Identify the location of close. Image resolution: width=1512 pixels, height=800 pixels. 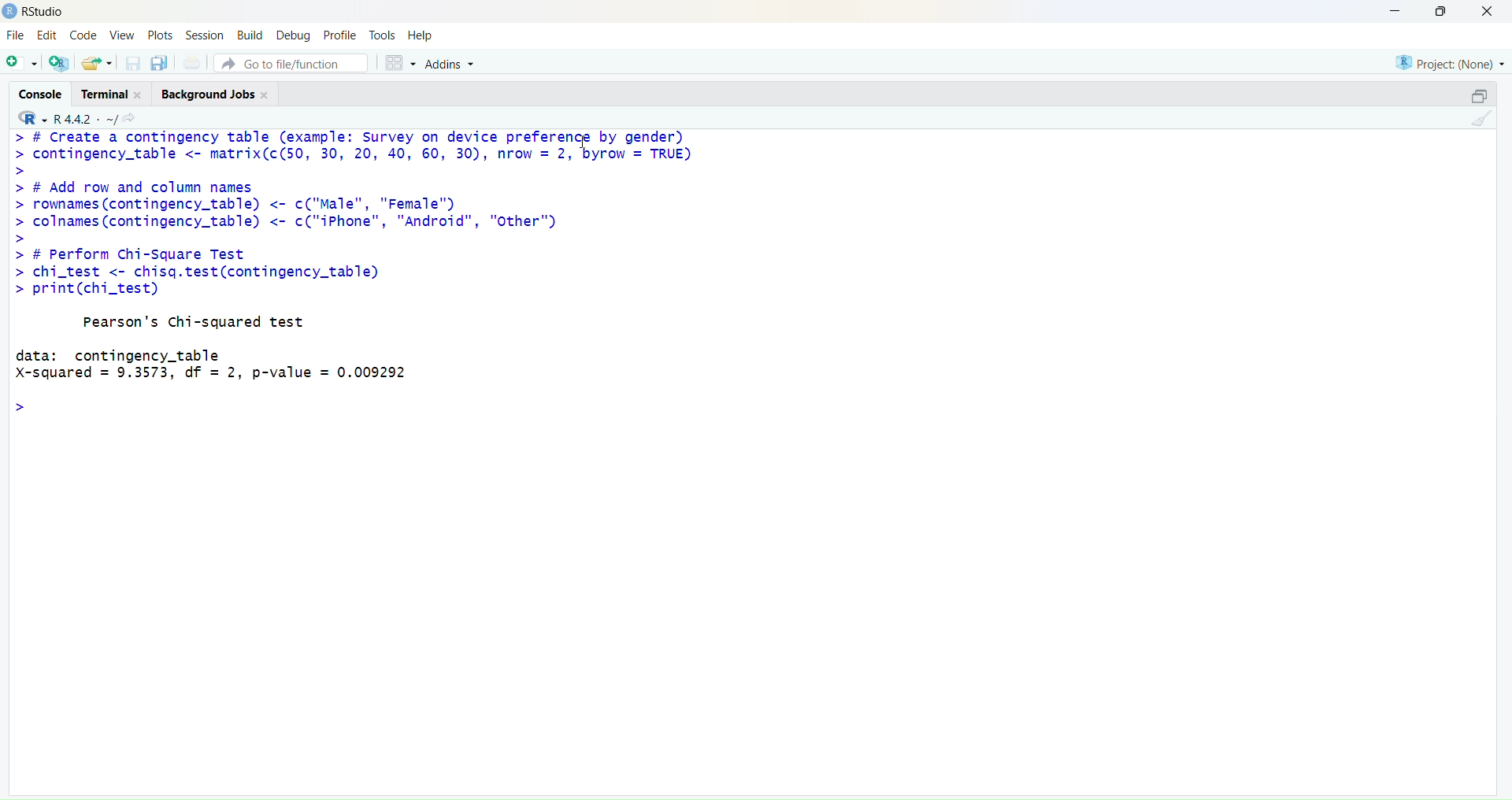
(1488, 11).